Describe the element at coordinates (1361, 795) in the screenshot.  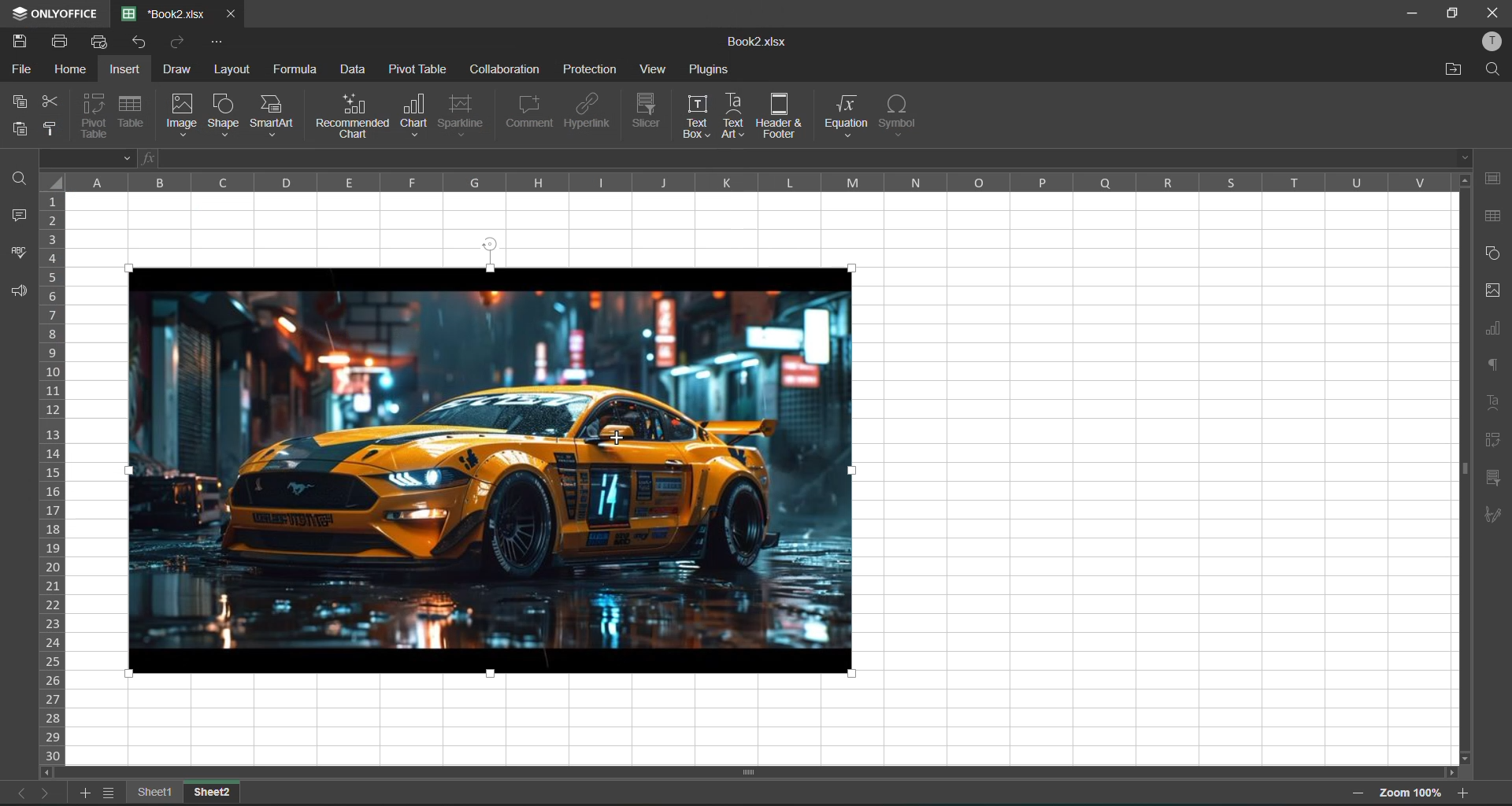
I see `zoom out` at that location.